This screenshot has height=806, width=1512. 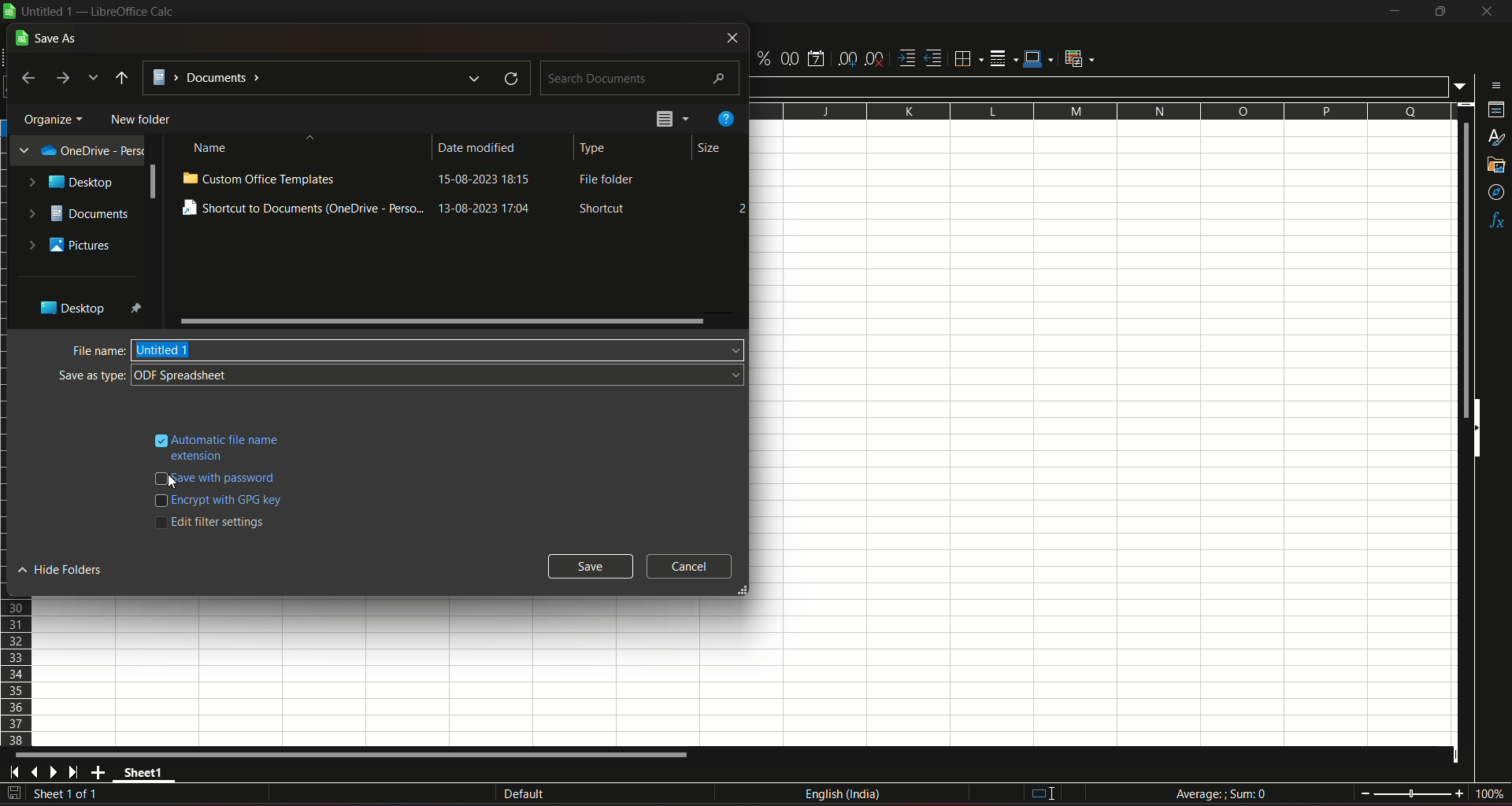 I want to click on minimize, so click(x=1393, y=12).